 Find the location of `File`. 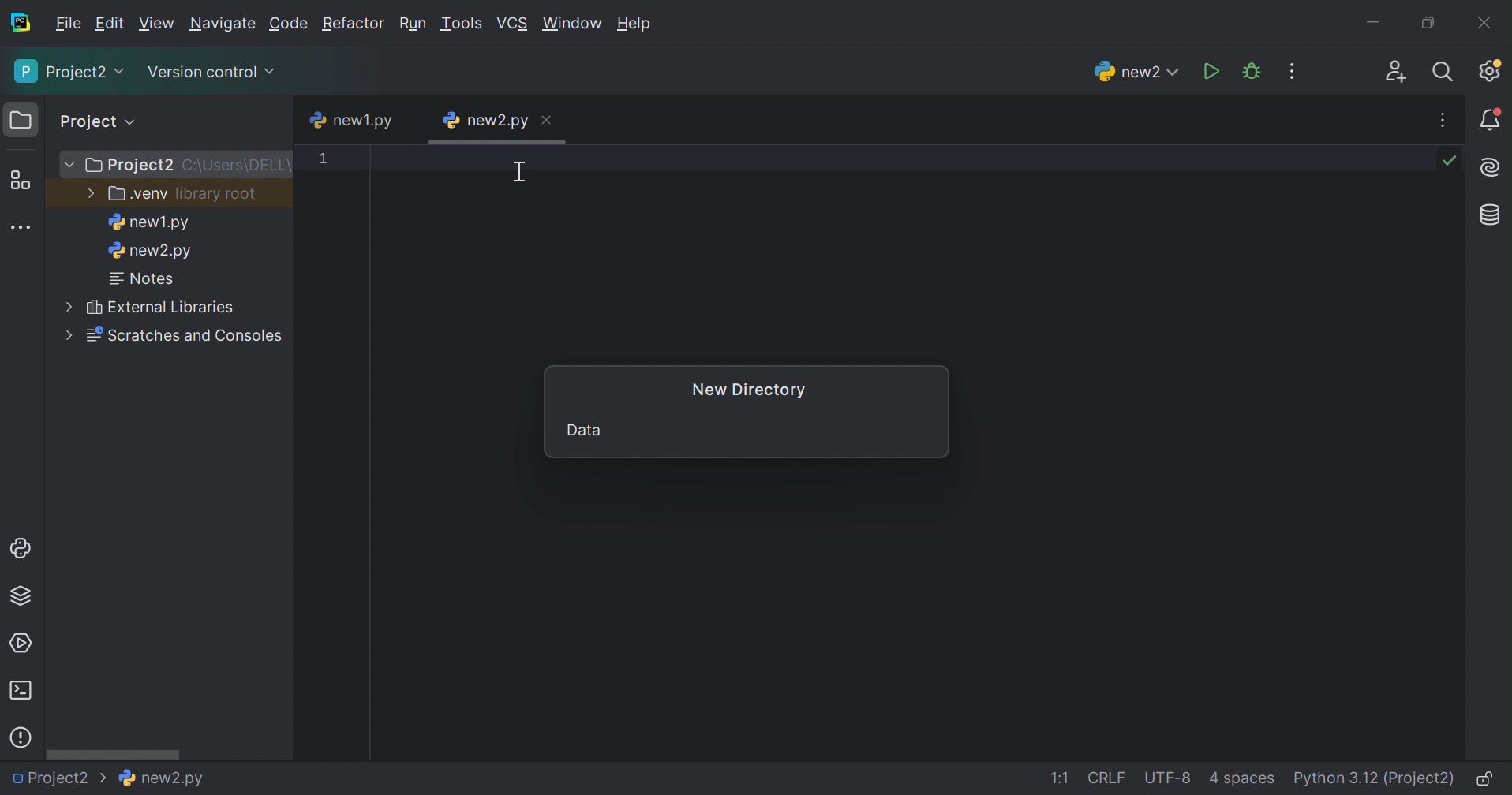

File is located at coordinates (66, 24).